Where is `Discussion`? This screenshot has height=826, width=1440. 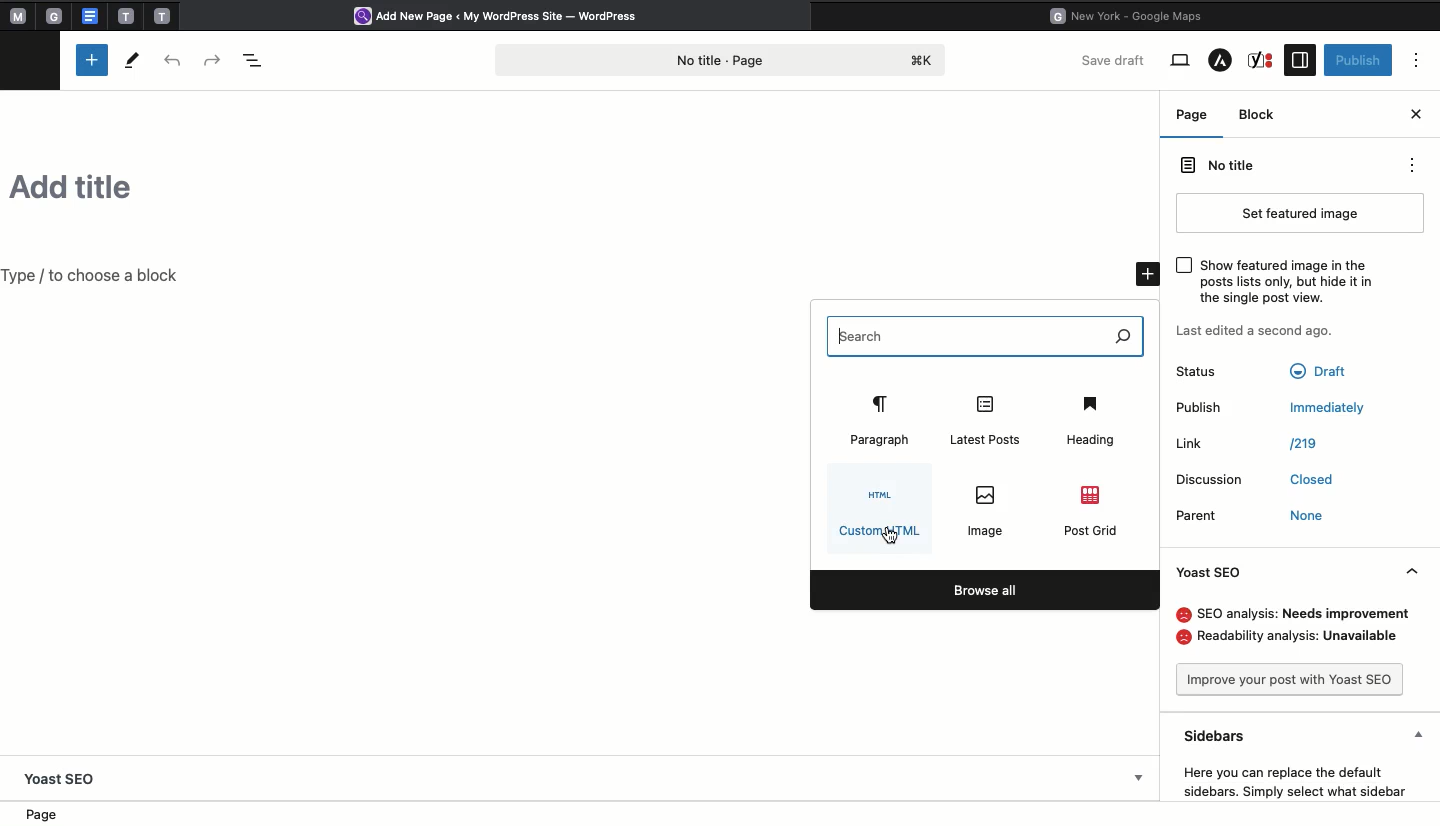
Discussion is located at coordinates (1254, 482).